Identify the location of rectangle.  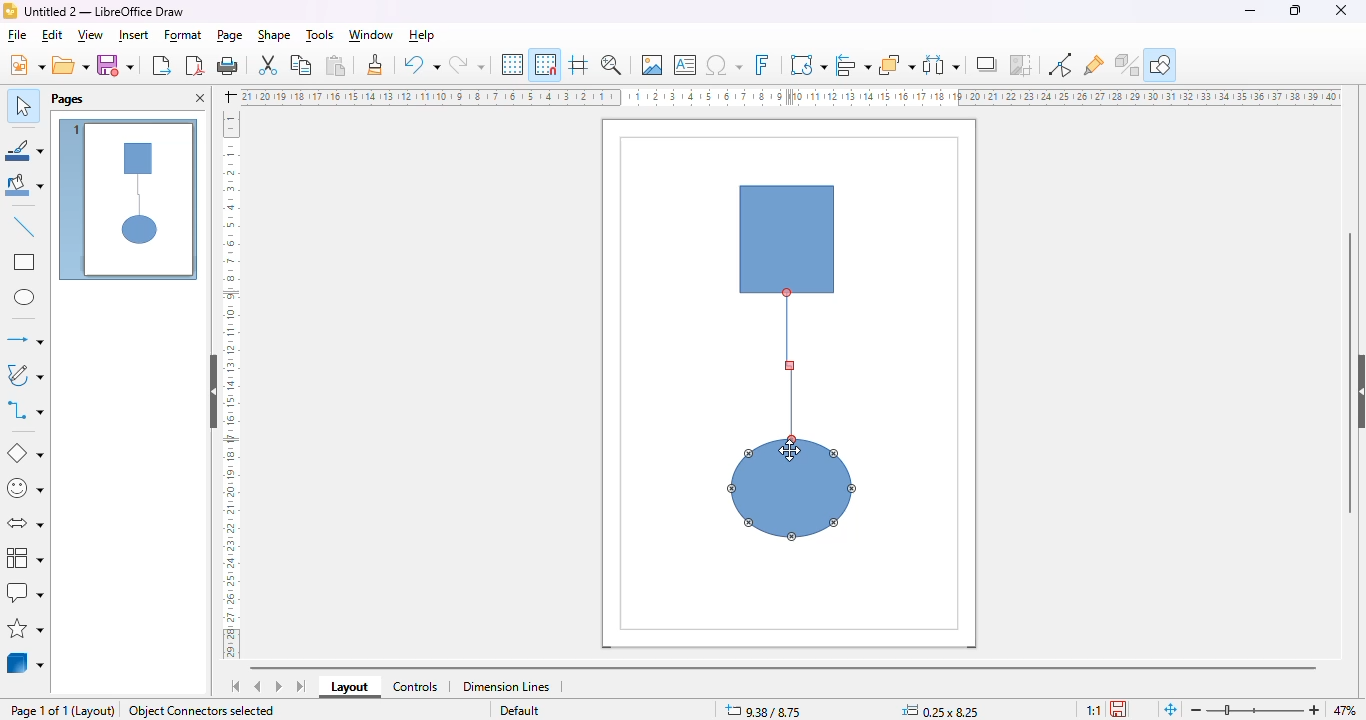
(25, 262).